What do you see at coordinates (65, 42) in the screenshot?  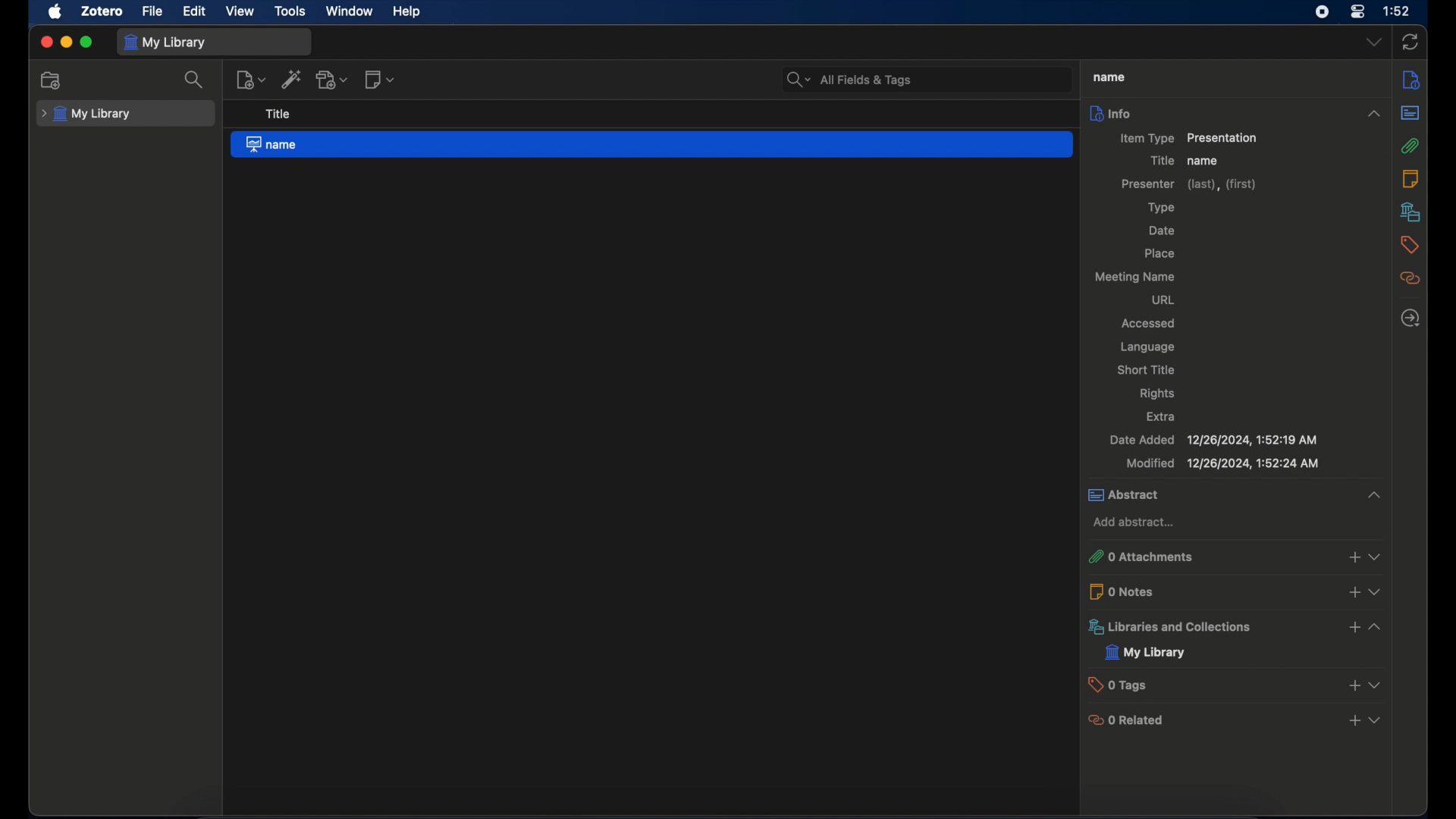 I see `minimize` at bounding box center [65, 42].